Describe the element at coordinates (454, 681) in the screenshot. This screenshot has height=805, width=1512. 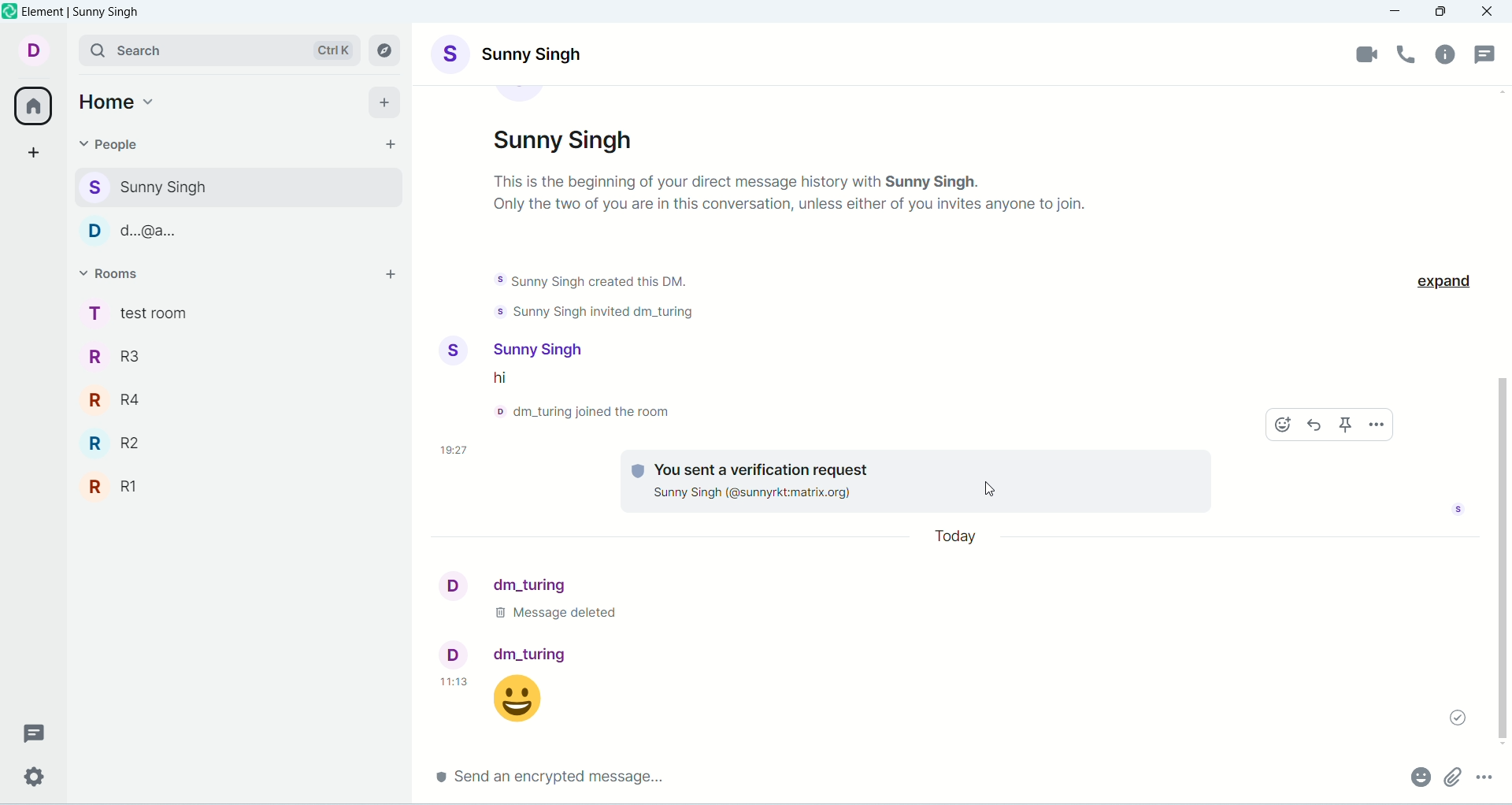
I see `11:13` at that location.